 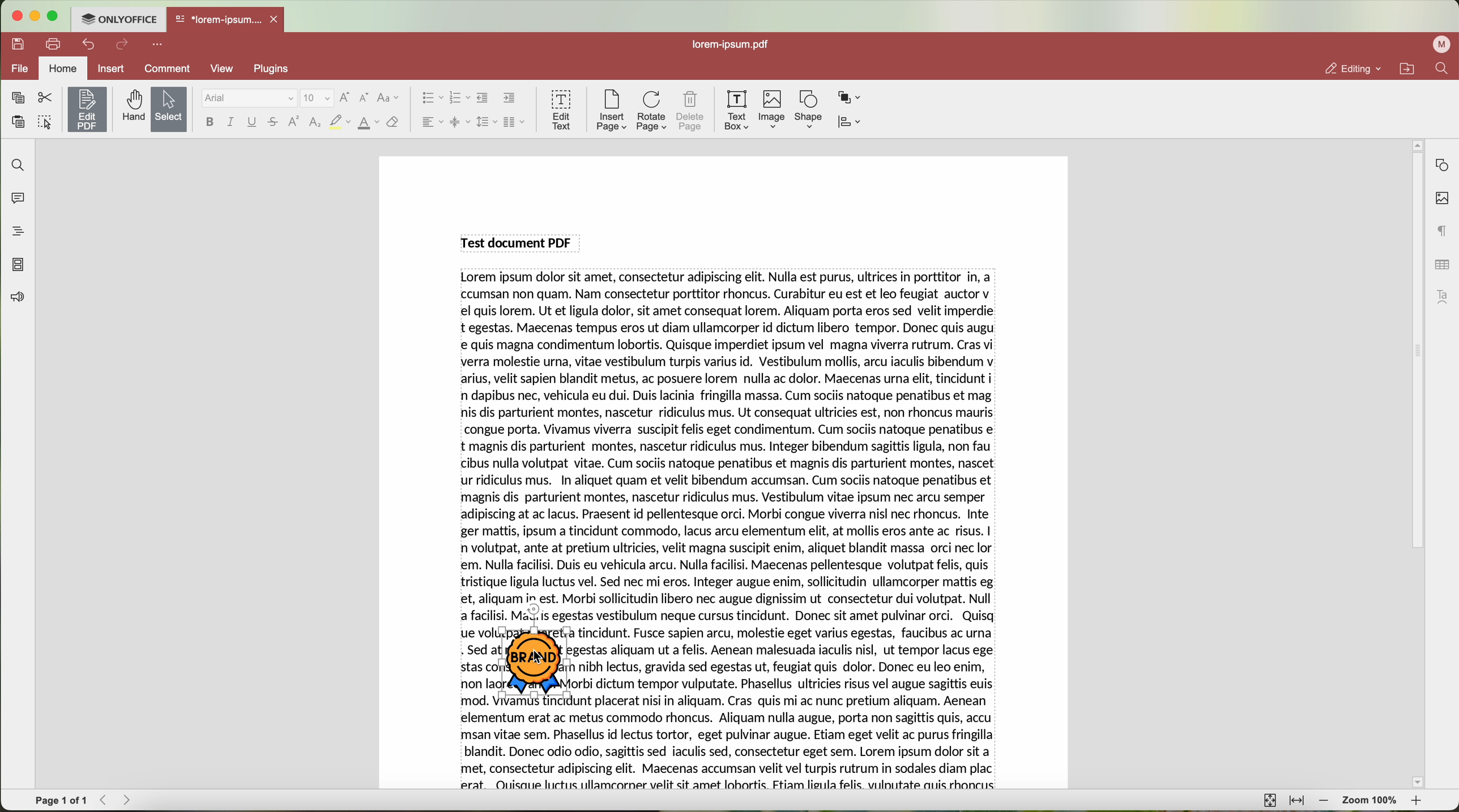 I want to click on scroll bar, so click(x=1411, y=464).